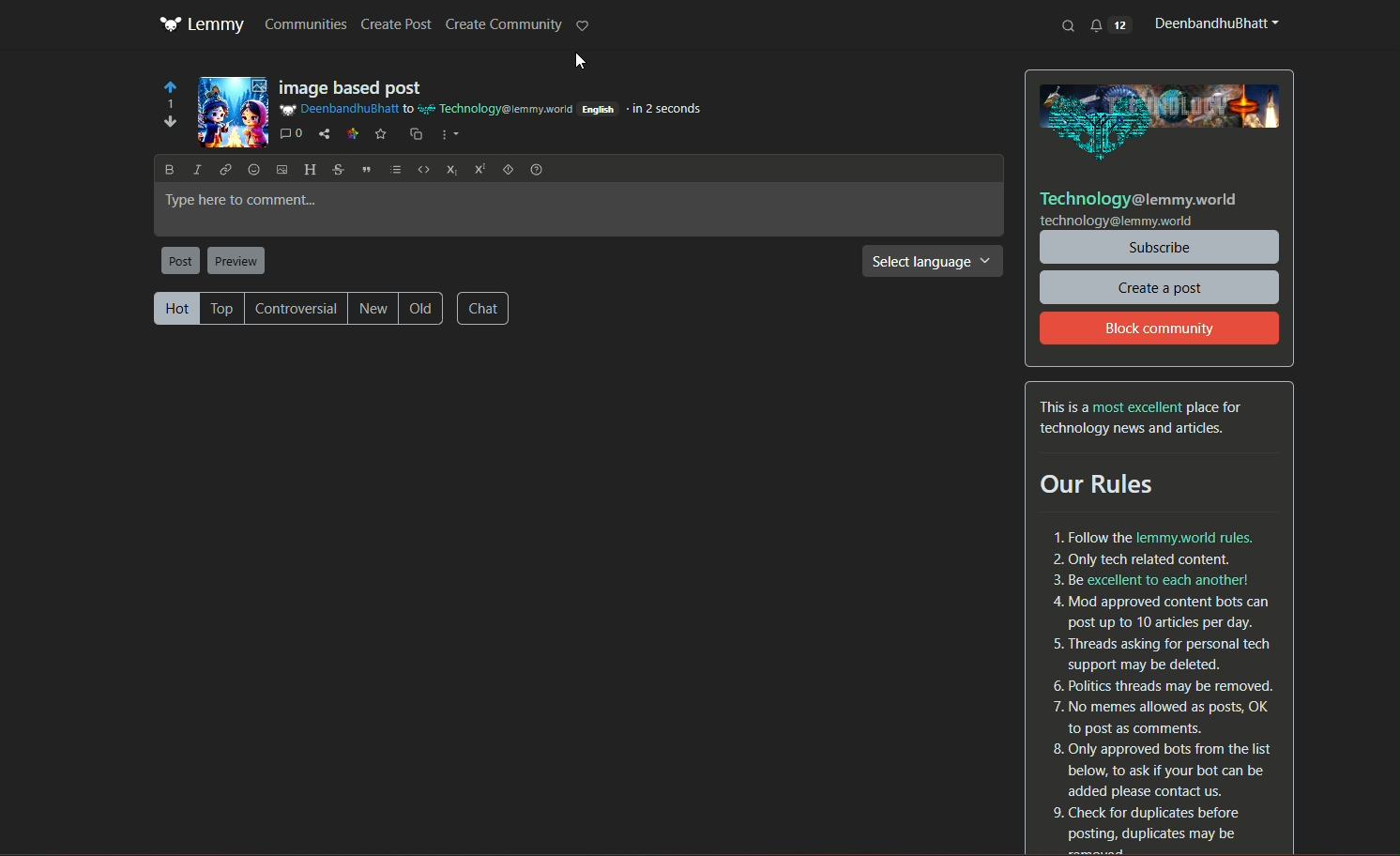 This screenshot has width=1400, height=856. I want to click on search, so click(1070, 25).